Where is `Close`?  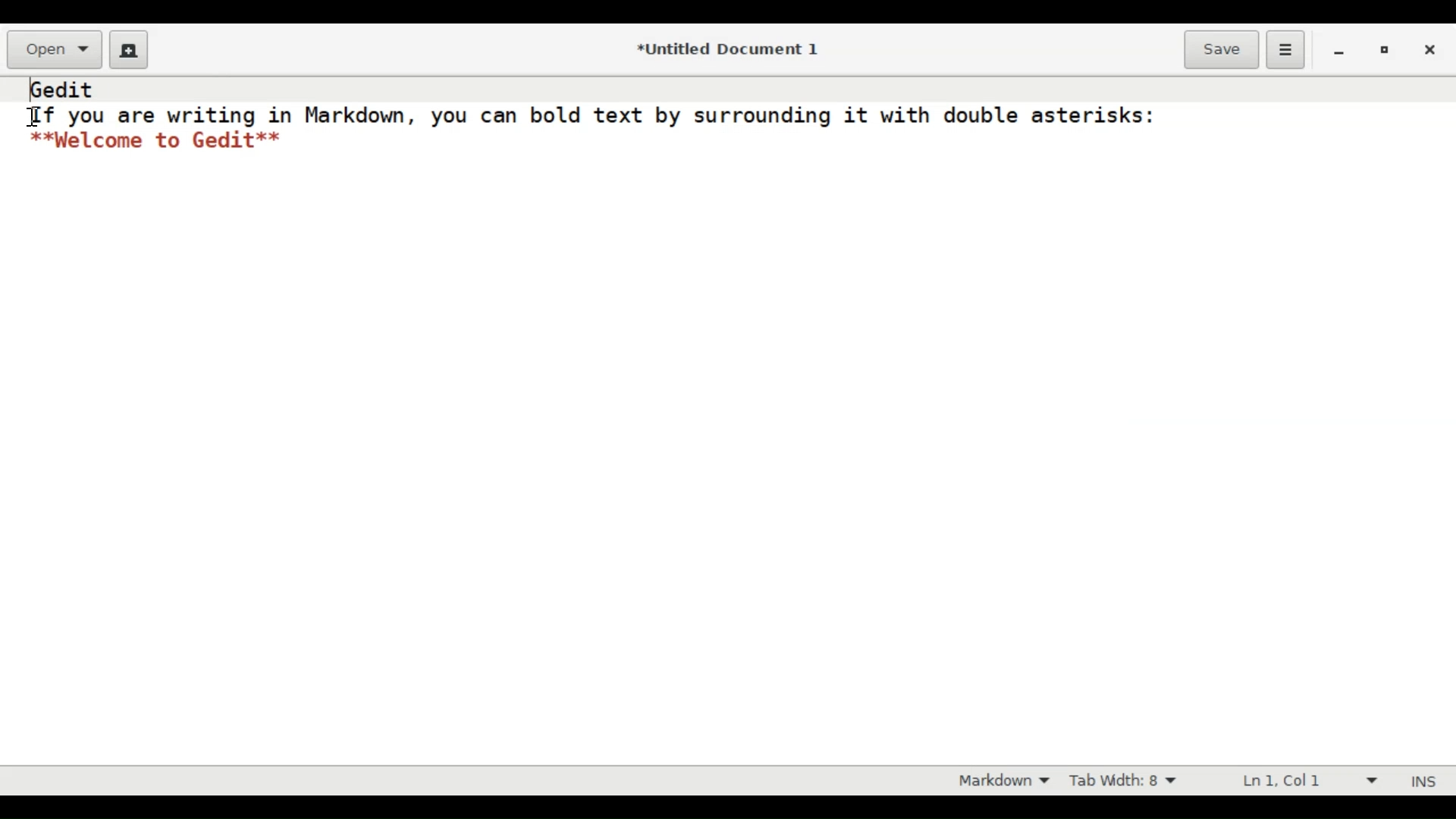
Close is located at coordinates (1431, 50).